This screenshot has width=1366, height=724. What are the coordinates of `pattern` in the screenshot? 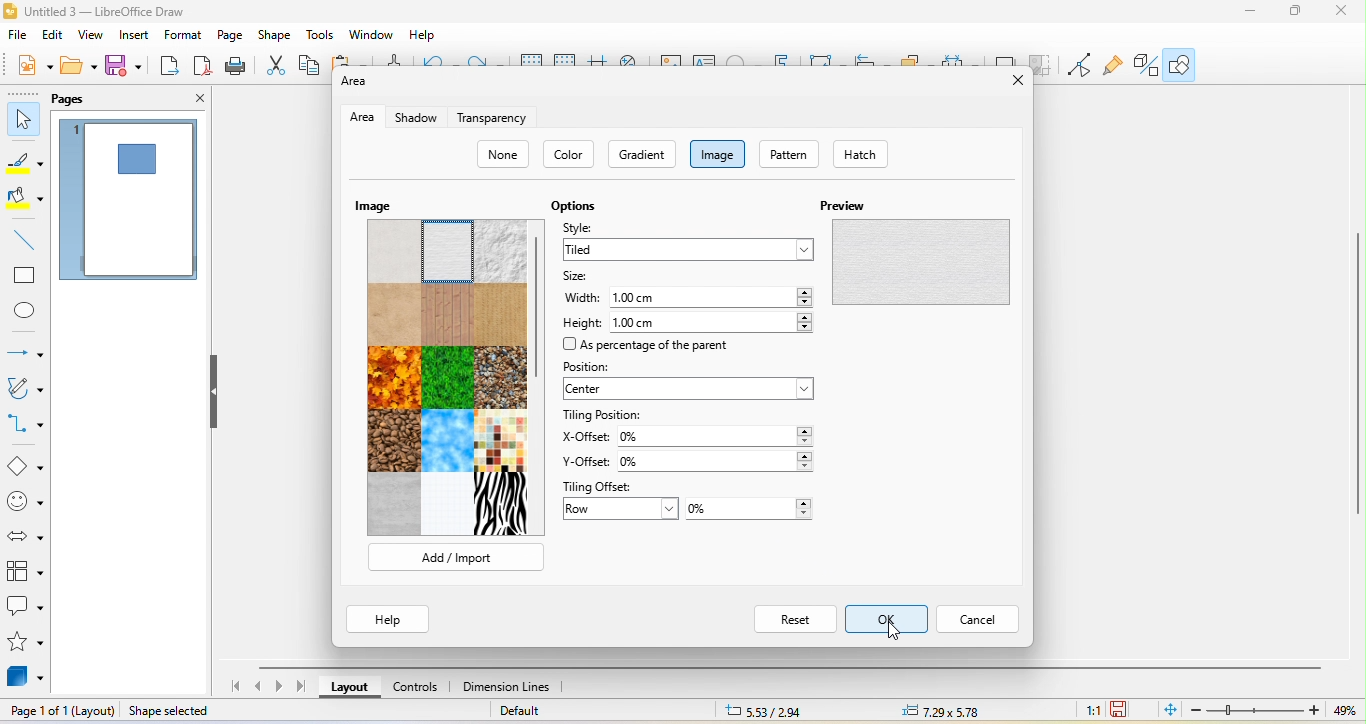 It's located at (790, 152).